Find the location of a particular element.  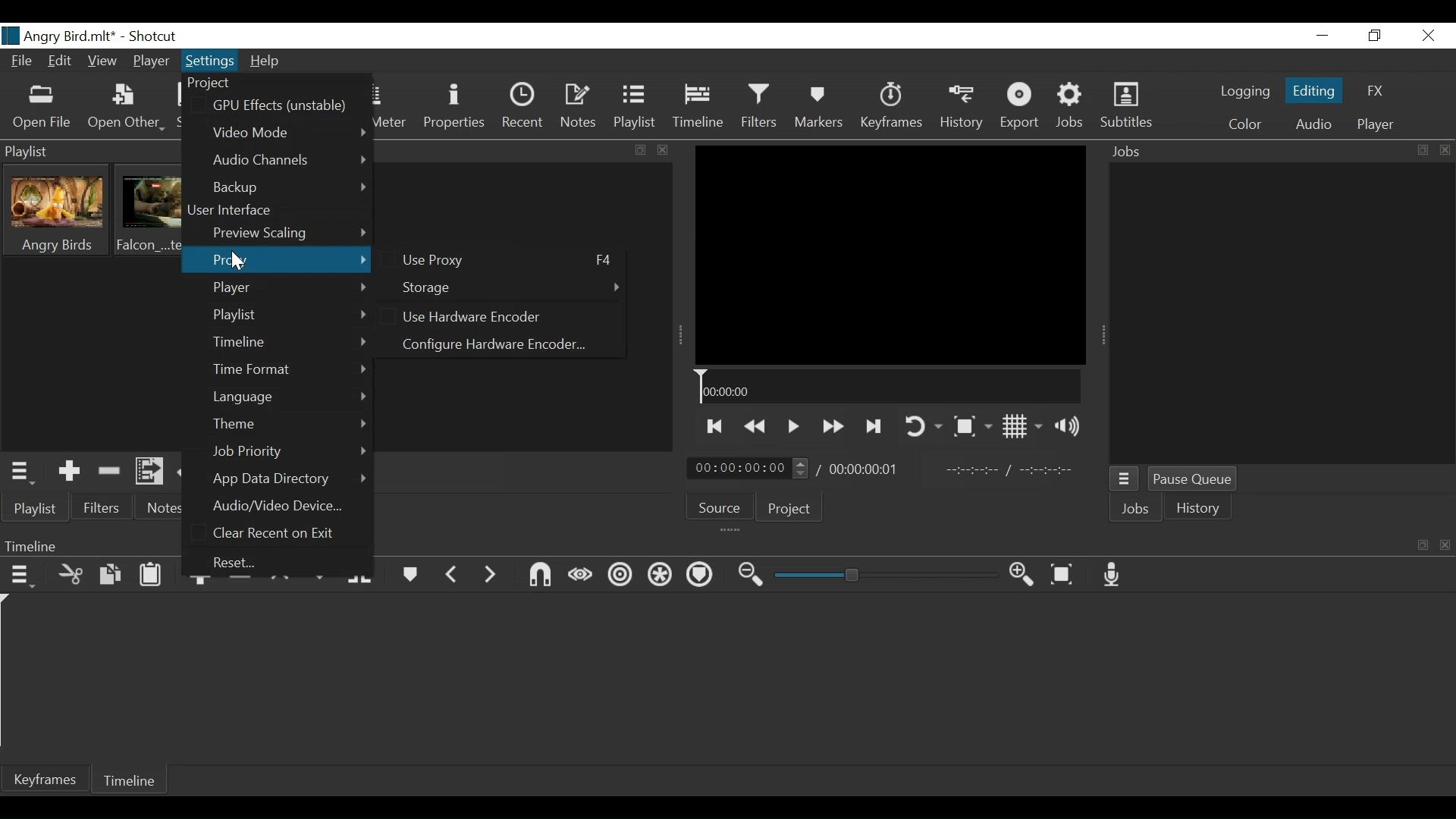

Job Priority is located at coordinates (290, 451).